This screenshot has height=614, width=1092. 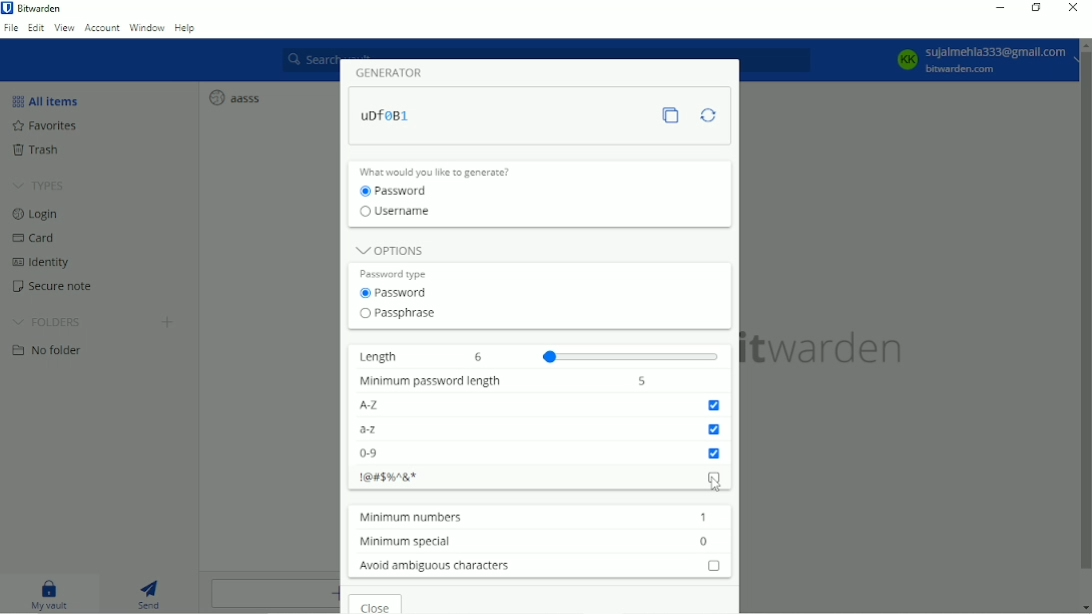 What do you see at coordinates (50, 592) in the screenshot?
I see `My vault` at bounding box center [50, 592].